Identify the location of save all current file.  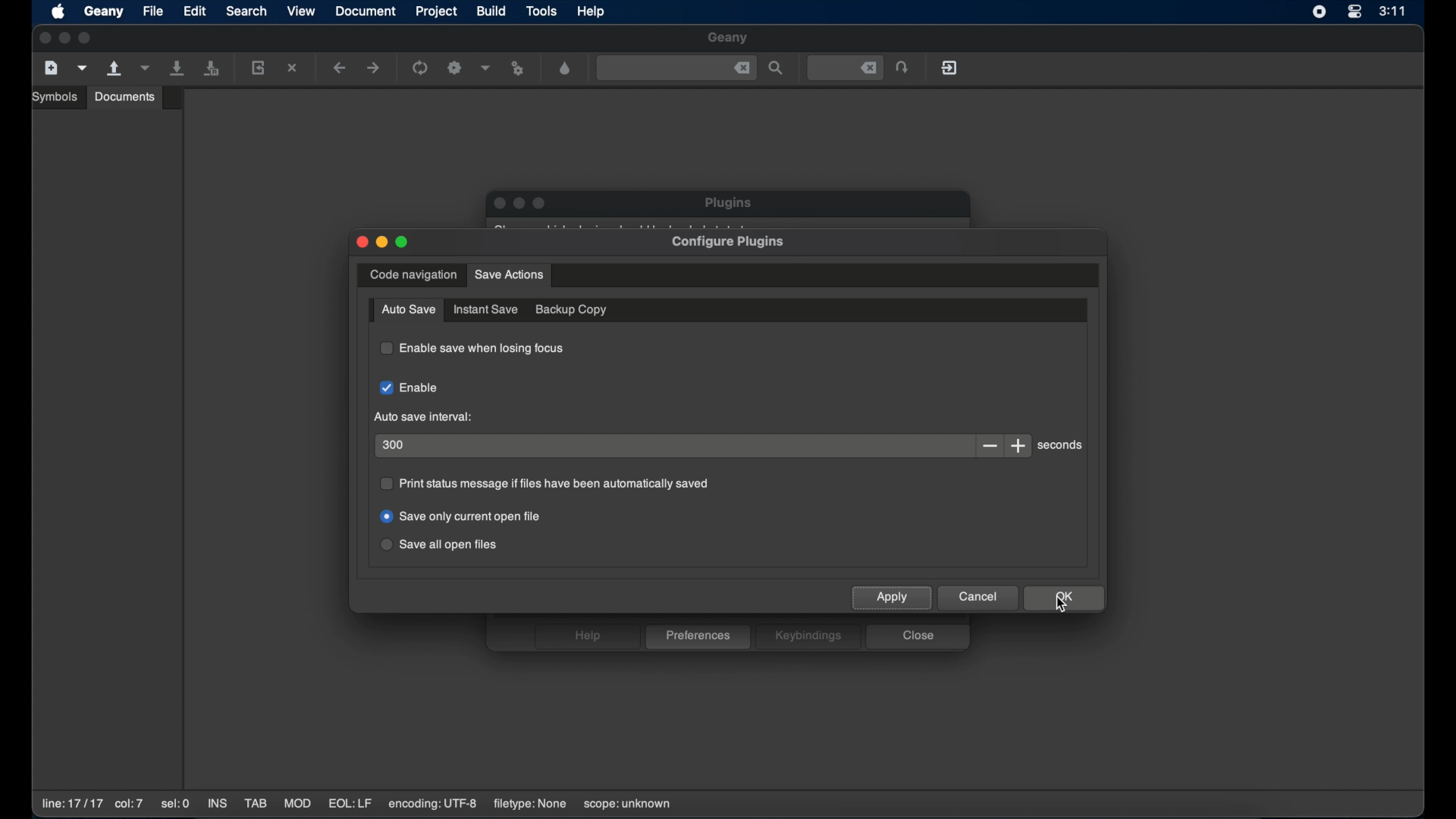
(178, 68).